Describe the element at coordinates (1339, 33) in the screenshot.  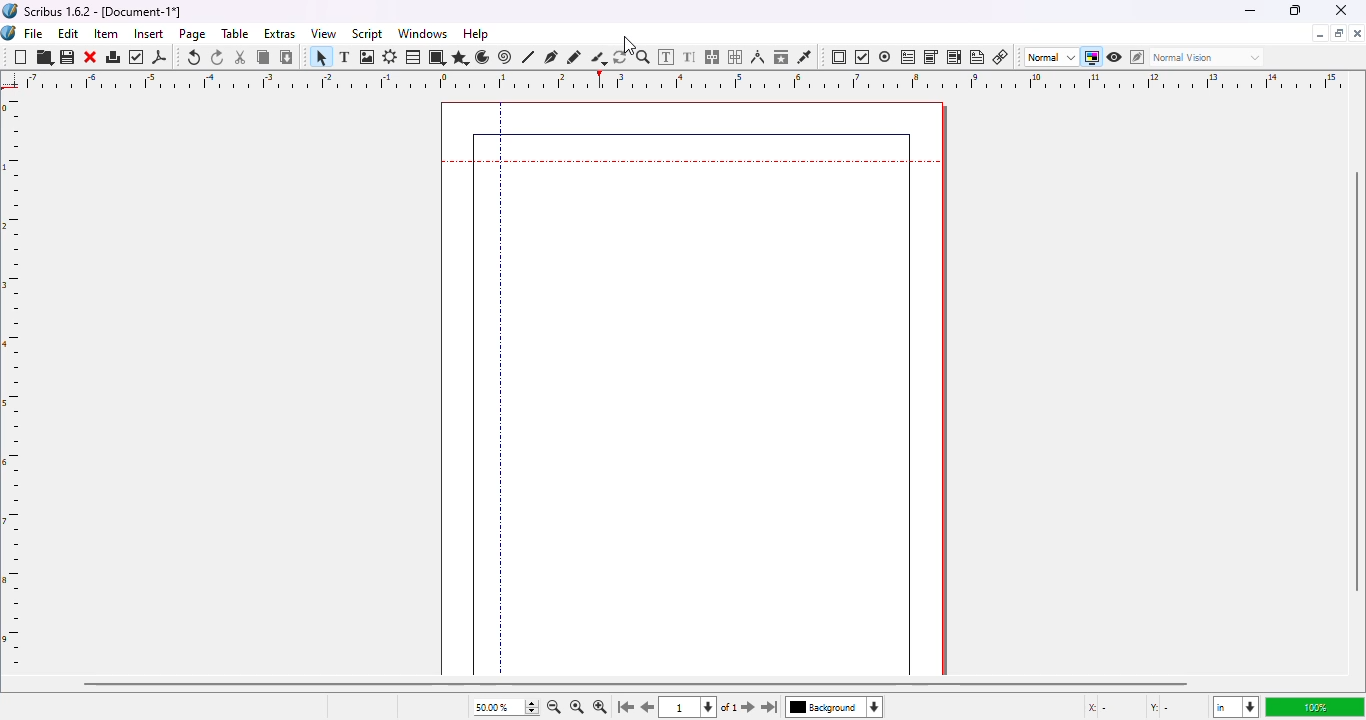
I see `maximize` at that location.